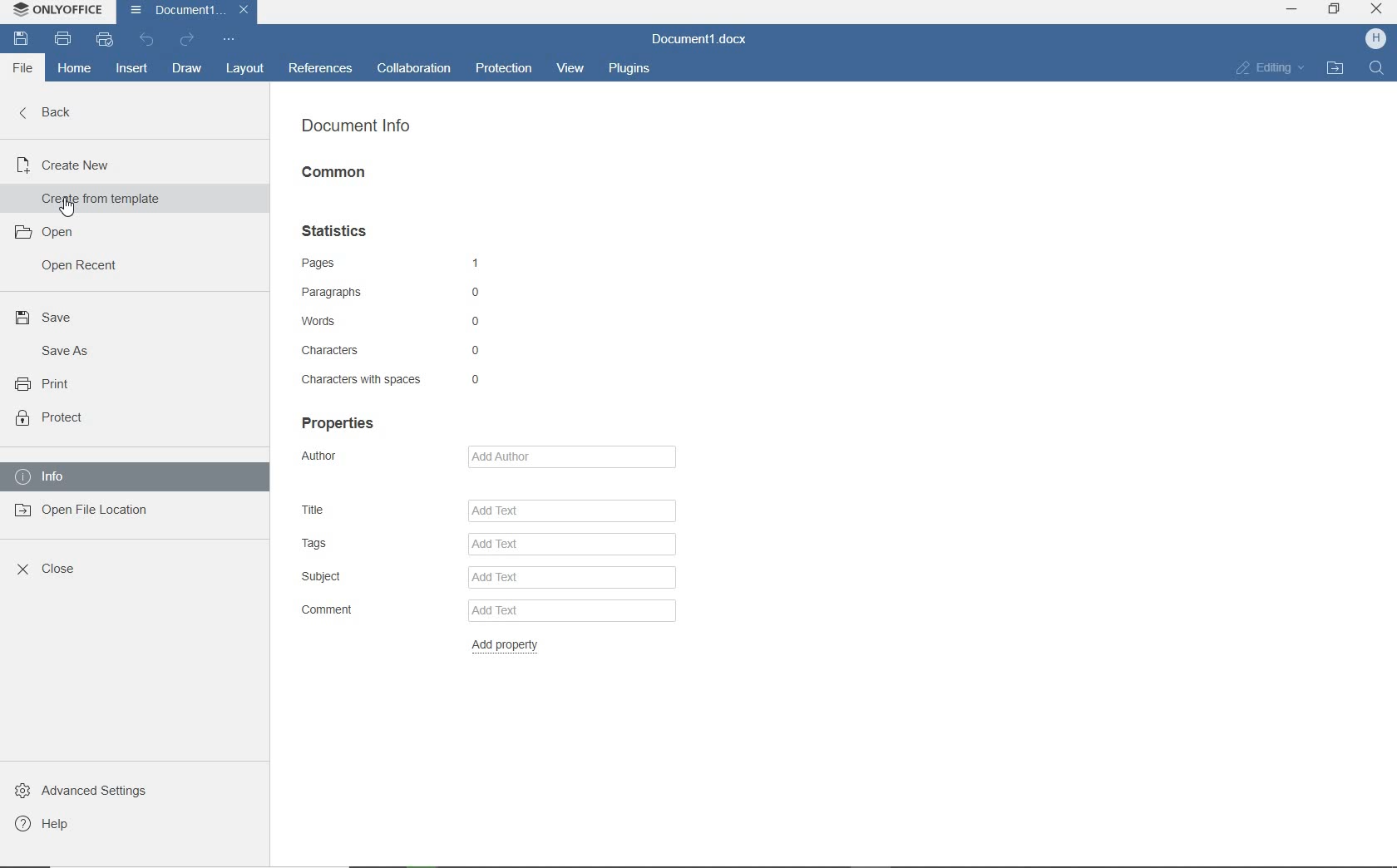 The height and width of the screenshot is (868, 1397). Describe the element at coordinates (70, 163) in the screenshot. I see `create new` at that location.